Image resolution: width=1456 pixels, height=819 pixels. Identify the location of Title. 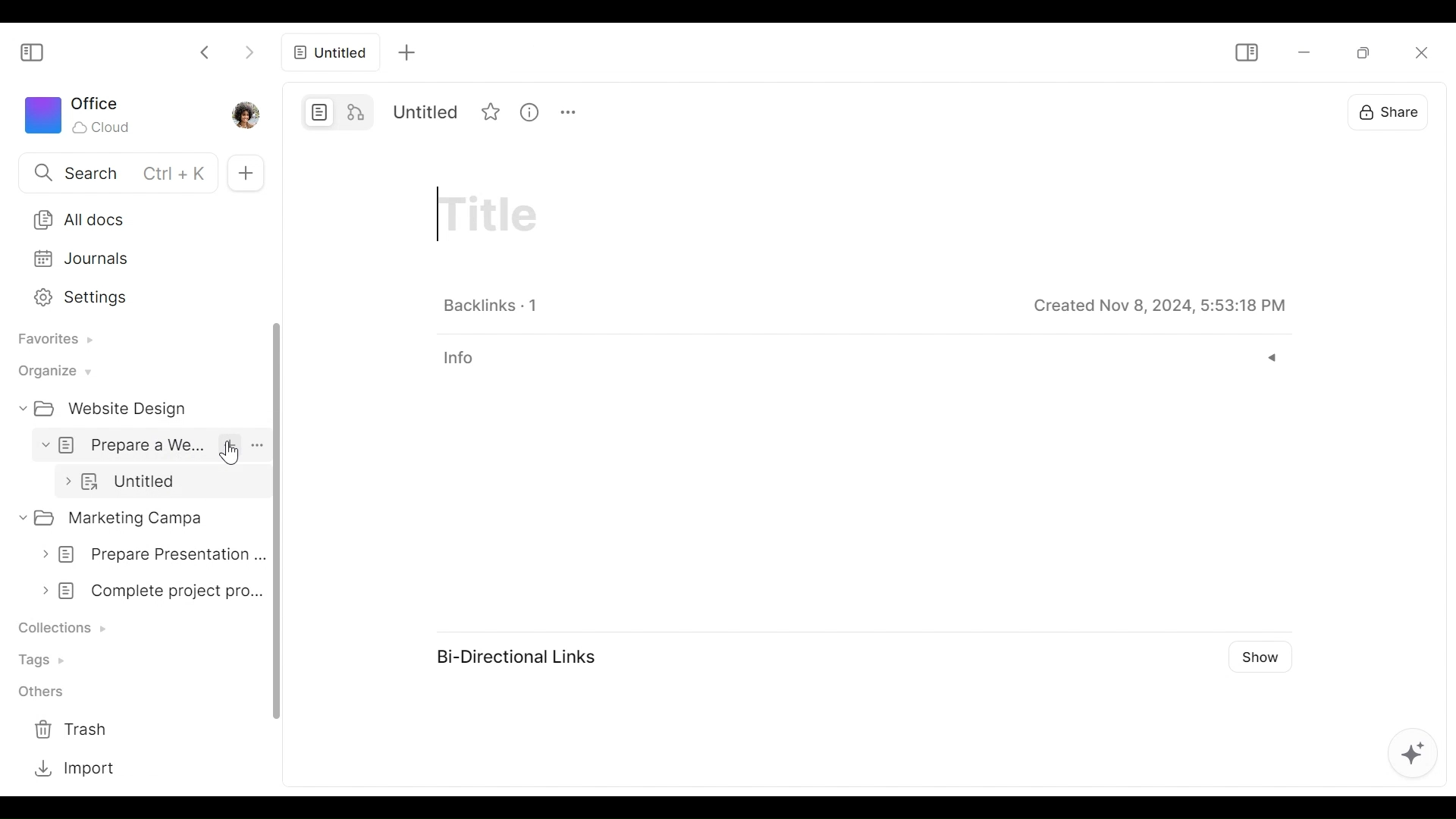
(750, 222).